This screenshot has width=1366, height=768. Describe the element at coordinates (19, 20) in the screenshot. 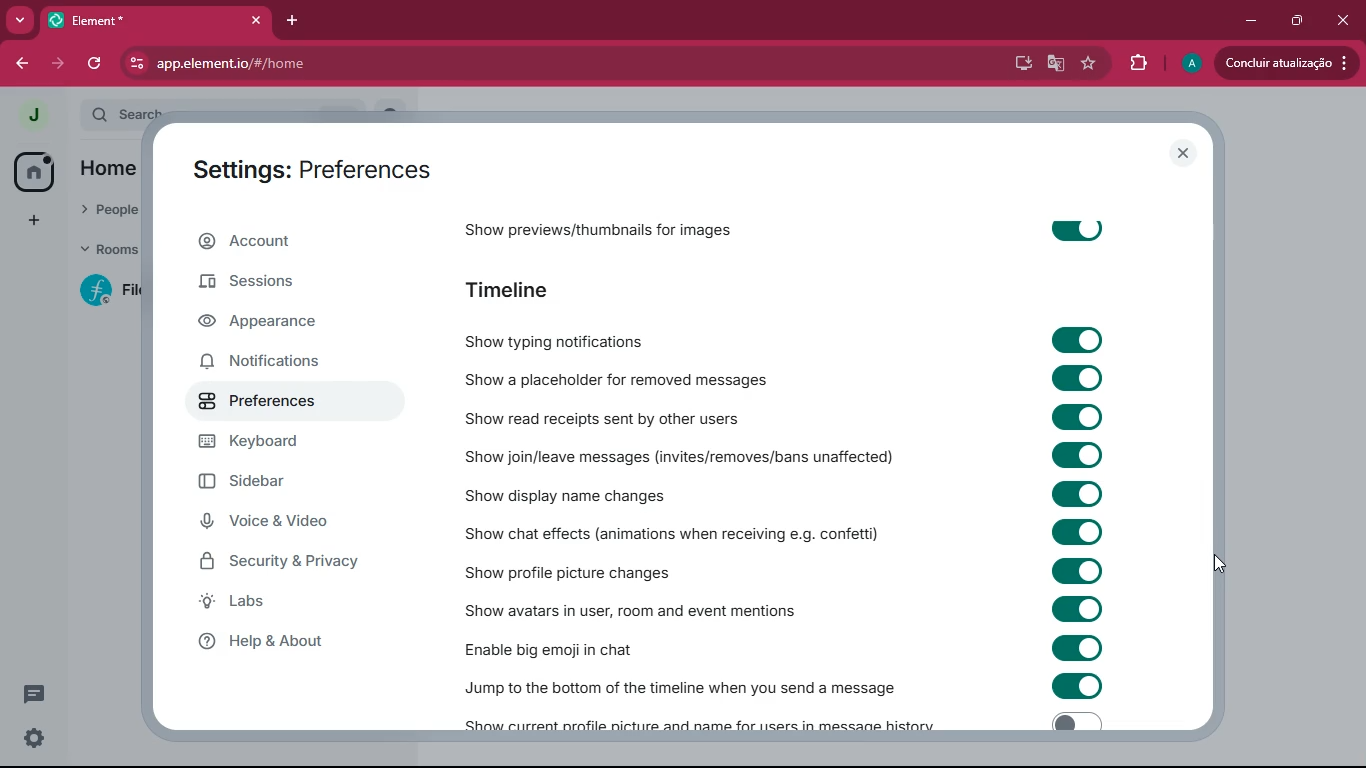

I see `more` at that location.